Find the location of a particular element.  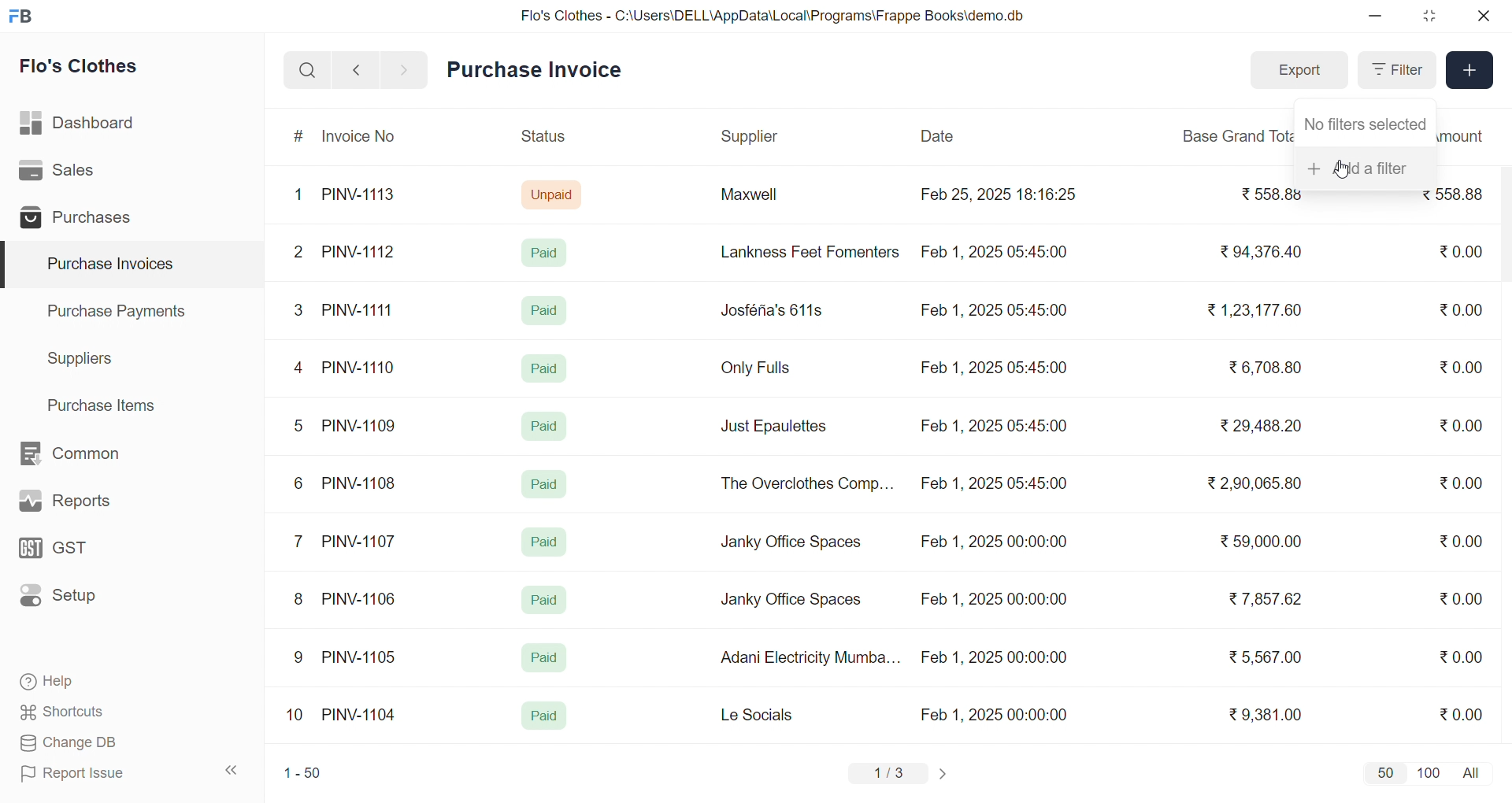

Feb 1, 2025 00:00:00 is located at coordinates (996, 714).